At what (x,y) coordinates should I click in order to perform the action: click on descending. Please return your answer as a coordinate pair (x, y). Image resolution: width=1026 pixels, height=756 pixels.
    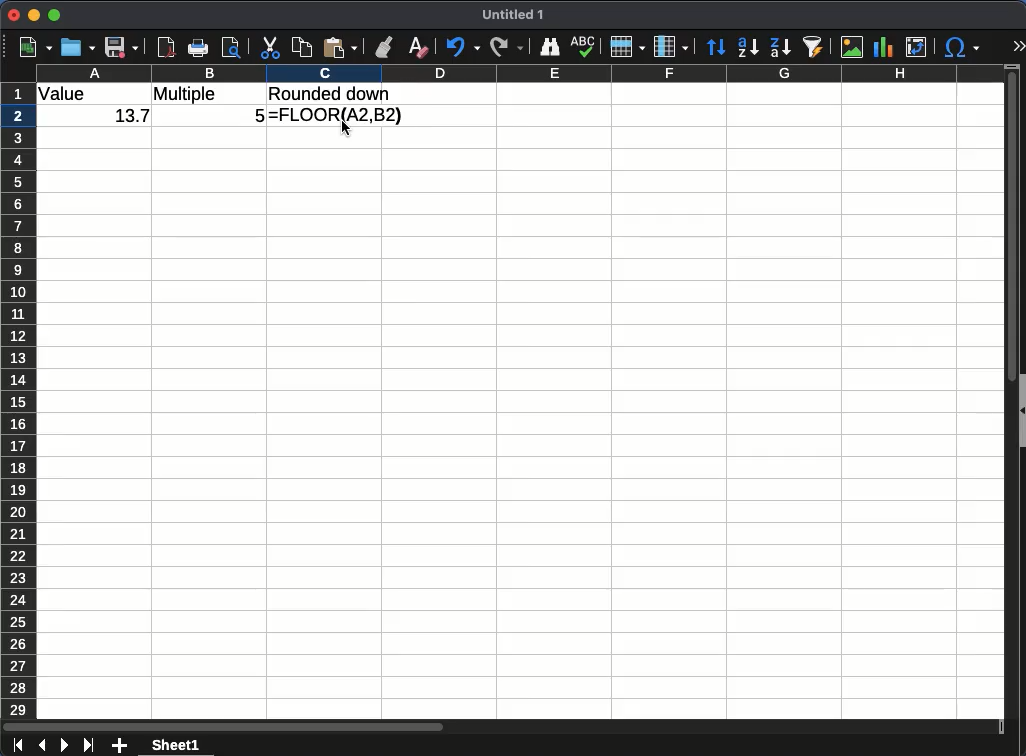
    Looking at the image, I should click on (780, 48).